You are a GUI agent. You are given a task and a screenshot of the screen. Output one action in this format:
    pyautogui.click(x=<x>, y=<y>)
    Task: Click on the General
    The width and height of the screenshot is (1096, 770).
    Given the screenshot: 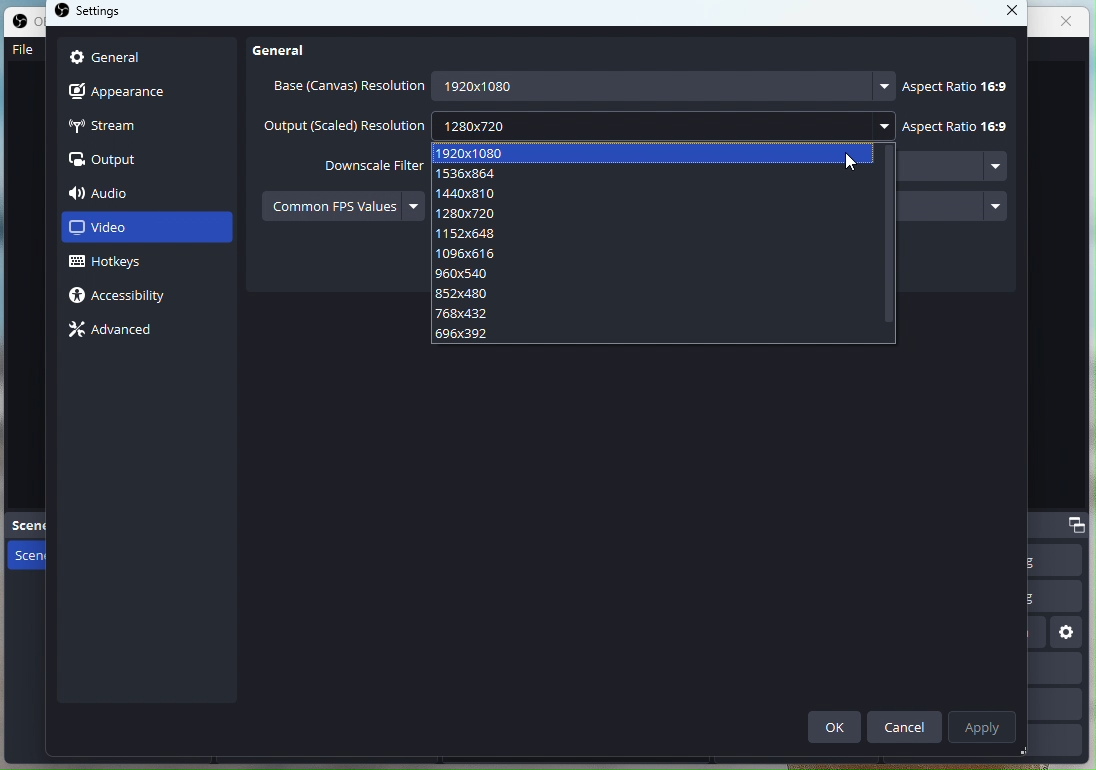 What is the action you would take?
    pyautogui.click(x=288, y=49)
    